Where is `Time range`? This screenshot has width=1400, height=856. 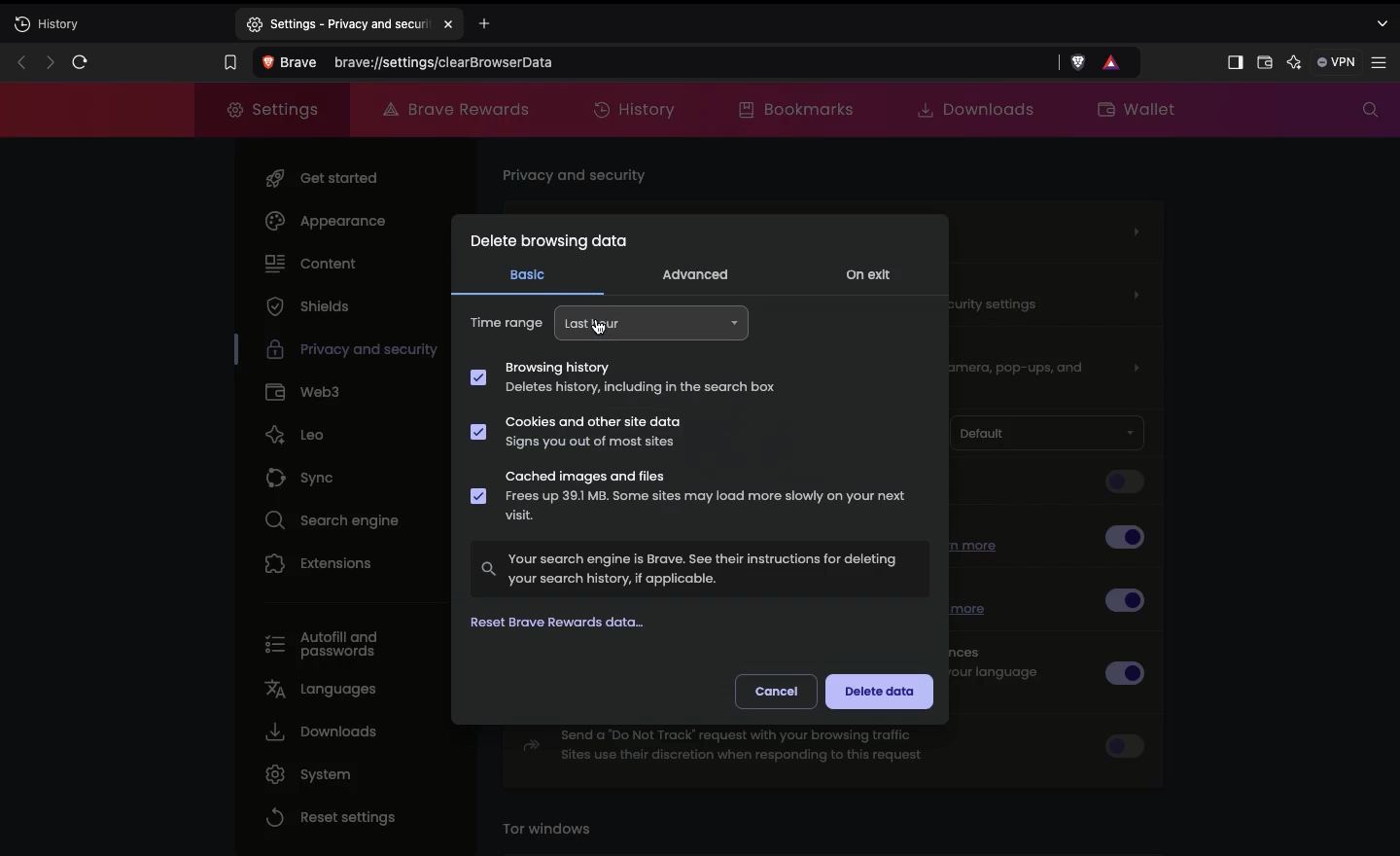 Time range is located at coordinates (507, 326).